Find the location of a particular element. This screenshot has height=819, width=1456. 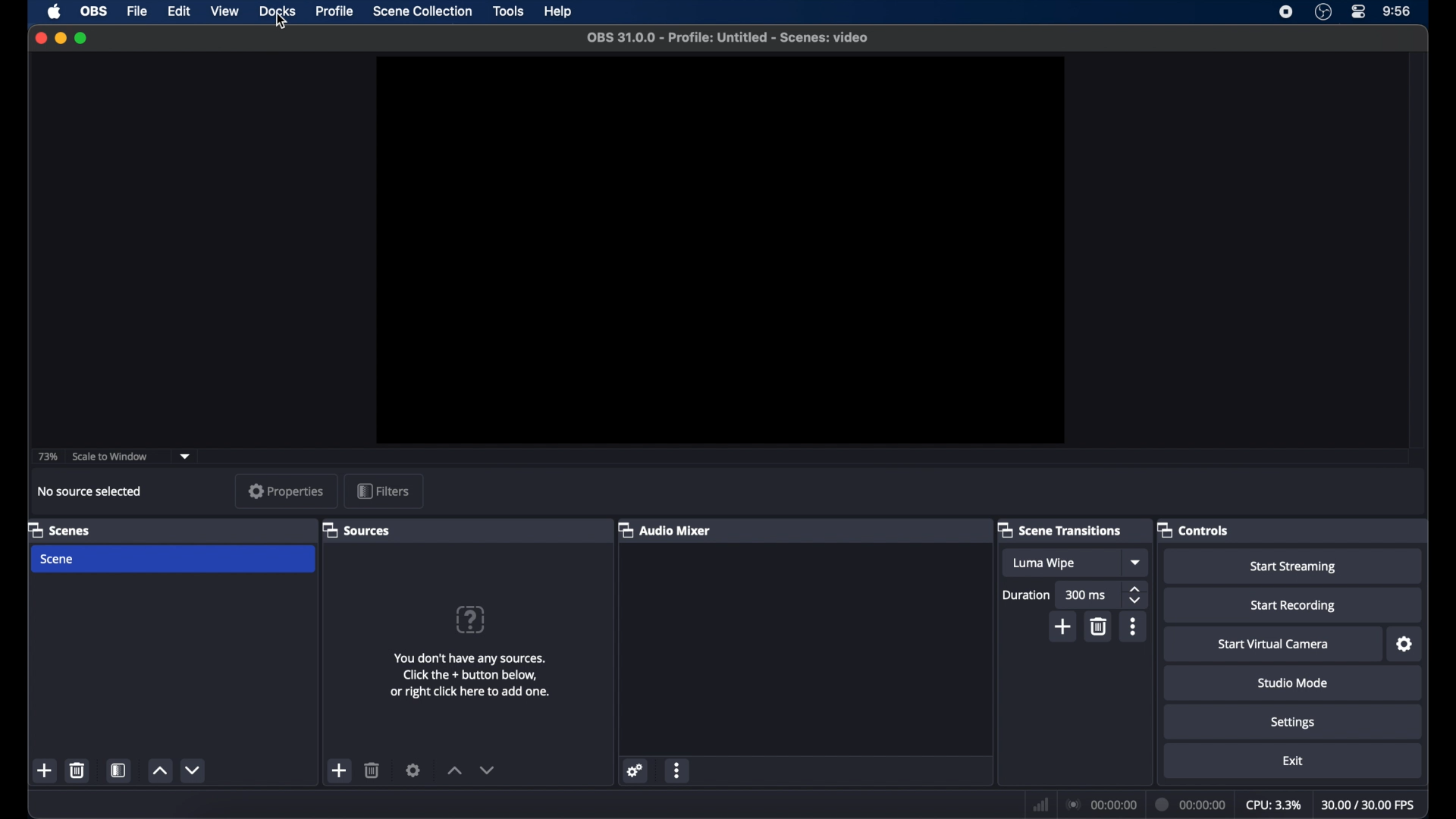

more options is located at coordinates (677, 770).